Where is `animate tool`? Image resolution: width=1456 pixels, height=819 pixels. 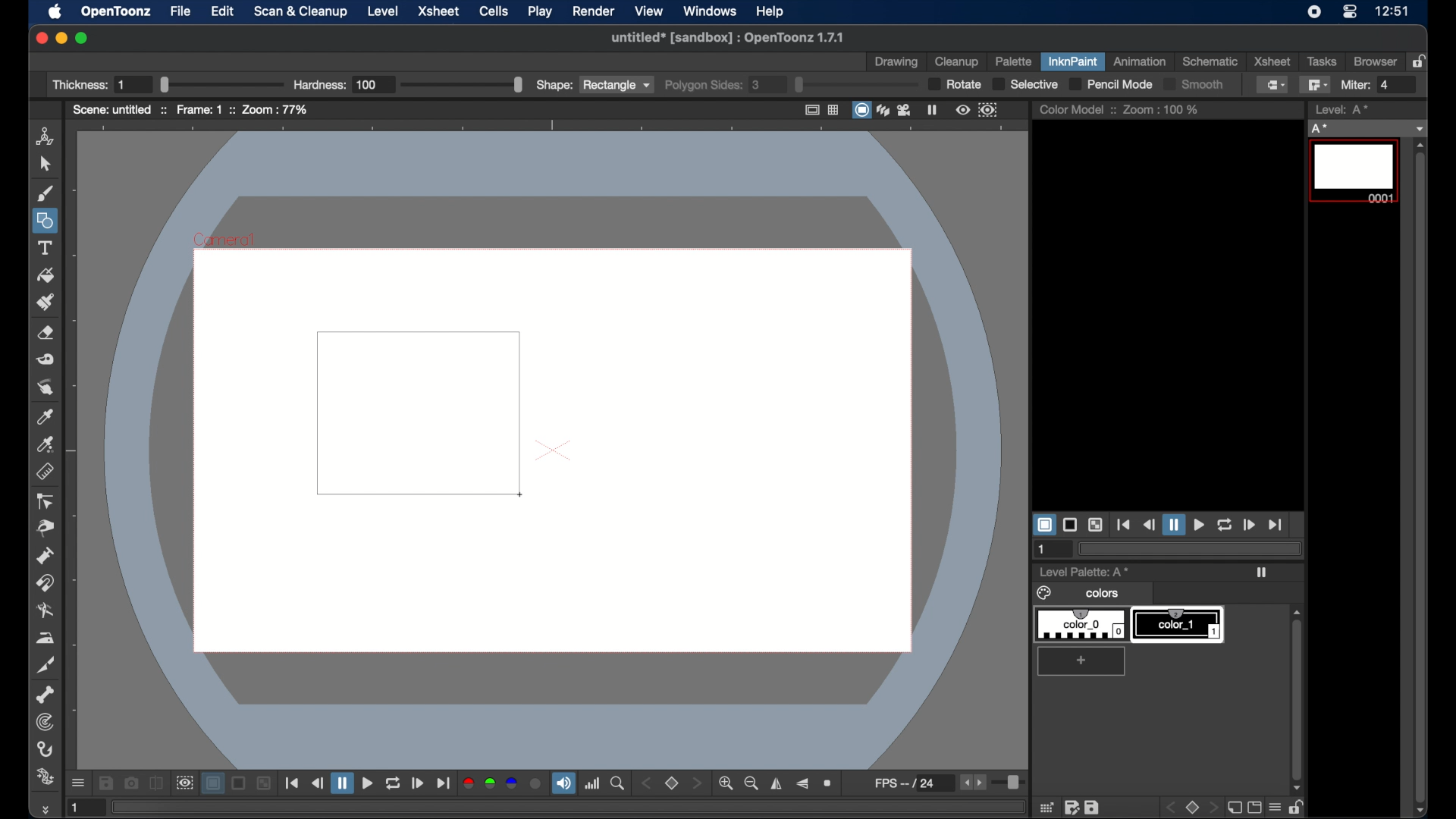 animate tool is located at coordinates (45, 136).